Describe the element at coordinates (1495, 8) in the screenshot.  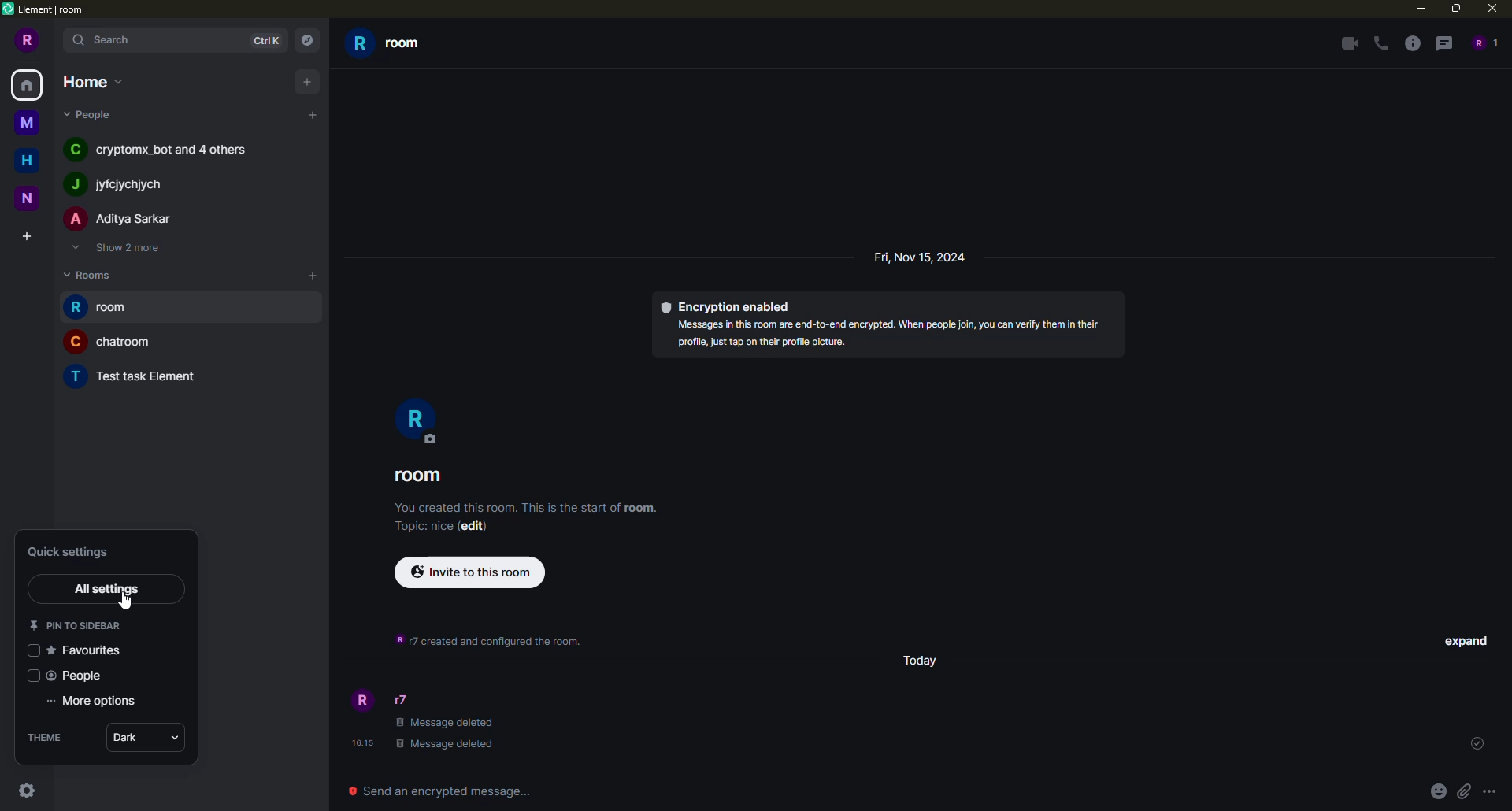
I see `close` at that location.